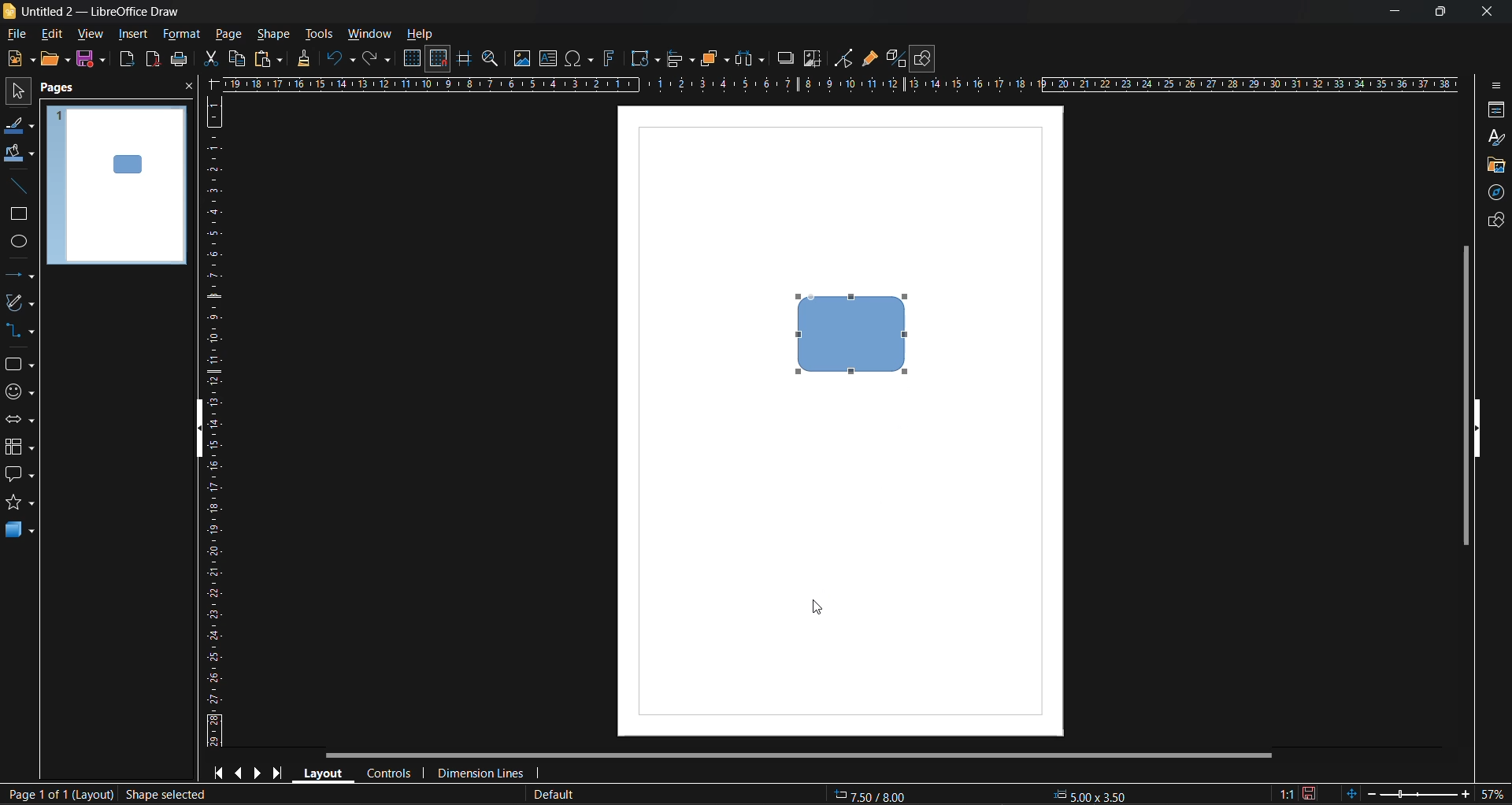 The image size is (1512, 805). Describe the element at coordinates (1494, 220) in the screenshot. I see `shapes` at that location.